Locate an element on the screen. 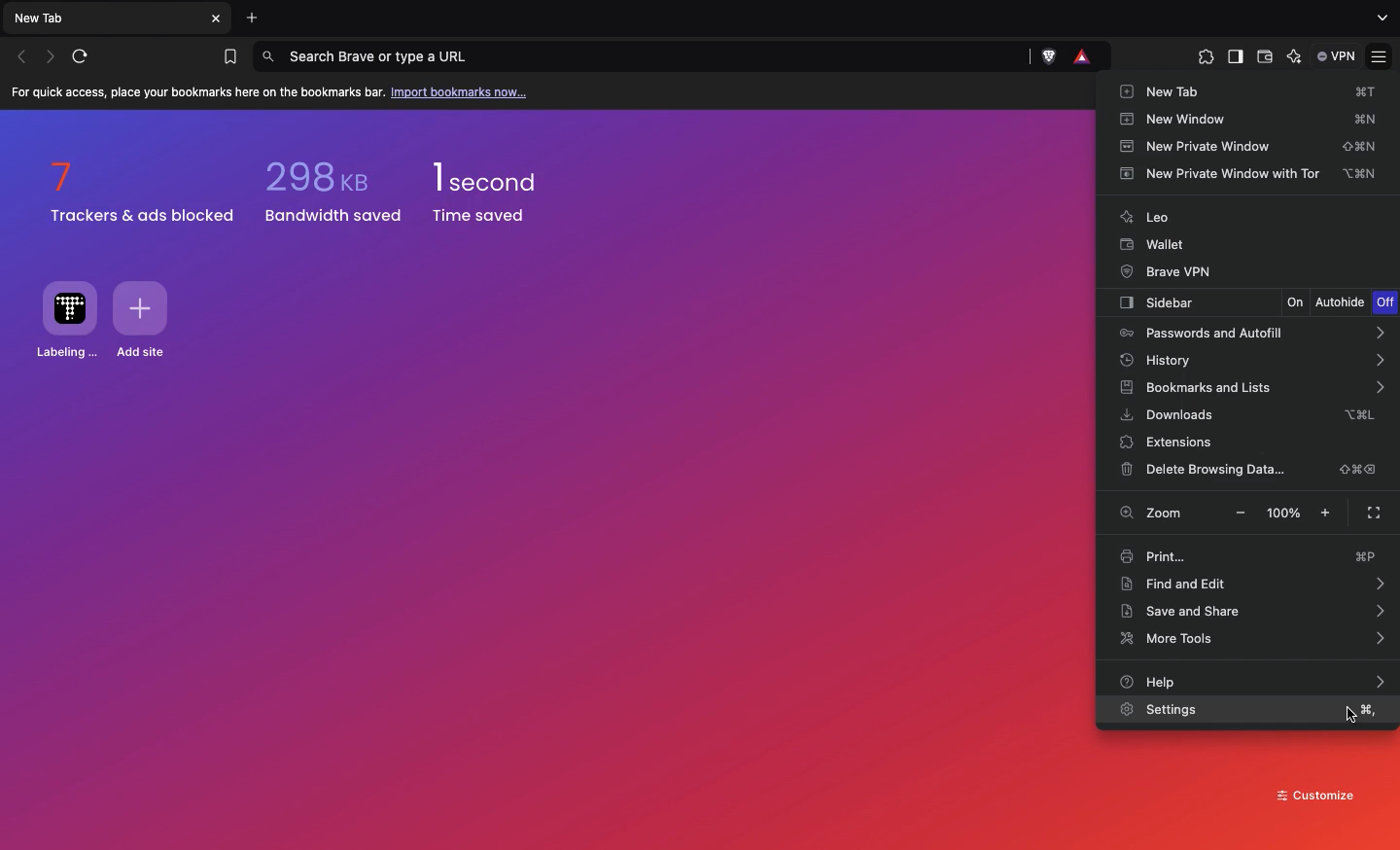 The image size is (1400, 850). 100% is located at coordinates (1280, 512).